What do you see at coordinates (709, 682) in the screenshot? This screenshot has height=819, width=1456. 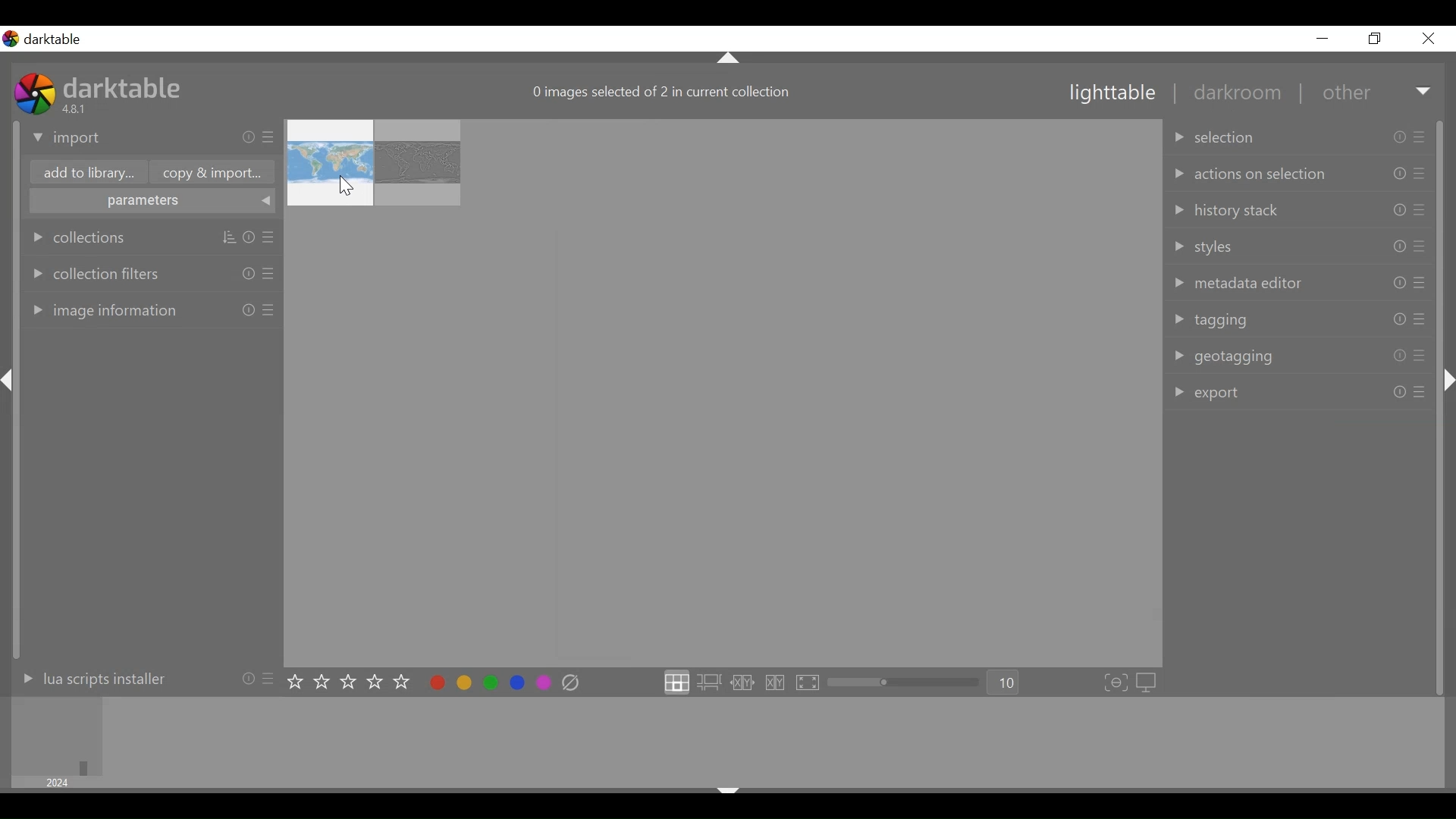 I see `click to enter zoomable lighttable layouy` at bounding box center [709, 682].